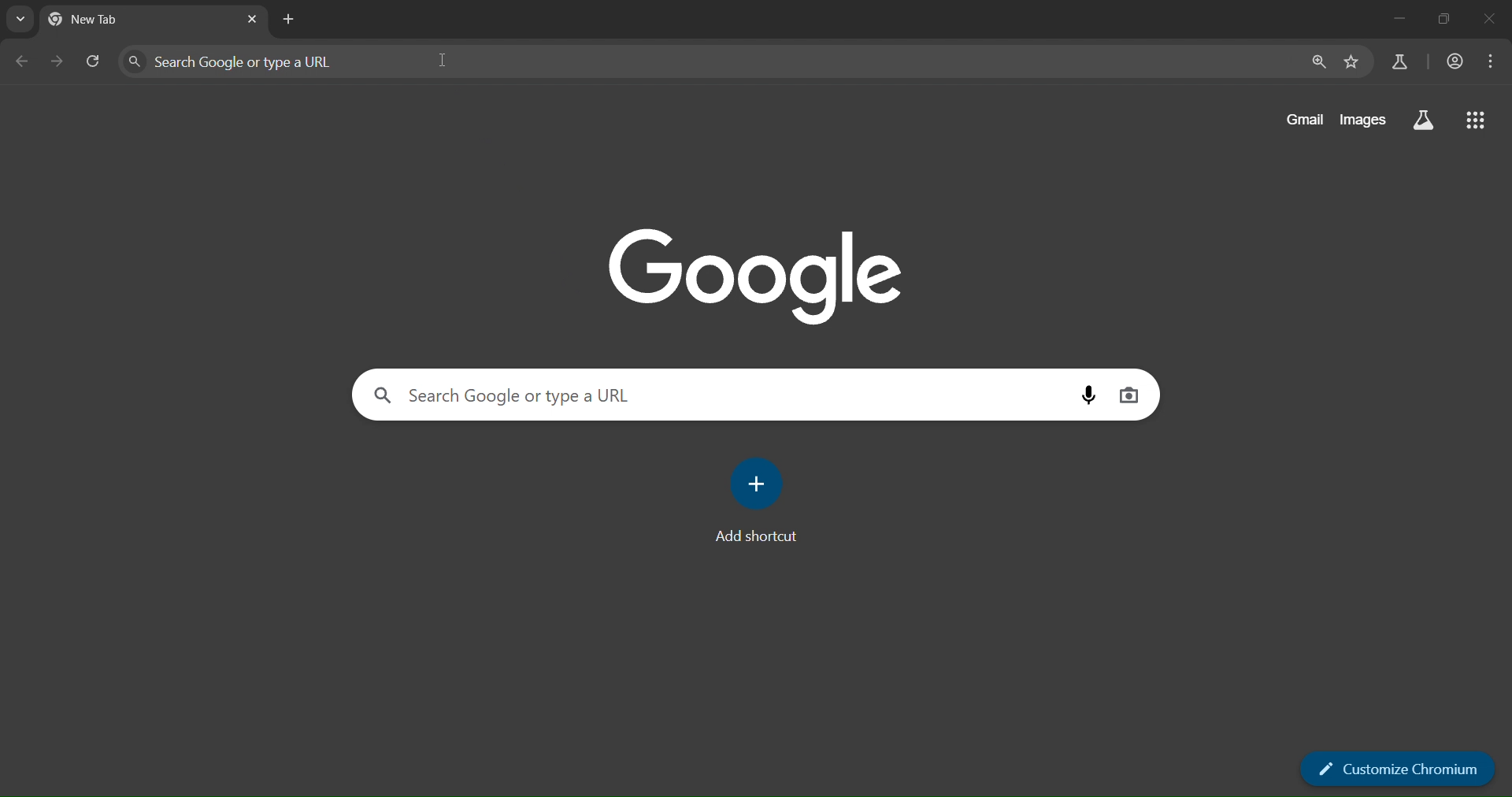  Describe the element at coordinates (58, 66) in the screenshot. I see `go  forward one page` at that location.